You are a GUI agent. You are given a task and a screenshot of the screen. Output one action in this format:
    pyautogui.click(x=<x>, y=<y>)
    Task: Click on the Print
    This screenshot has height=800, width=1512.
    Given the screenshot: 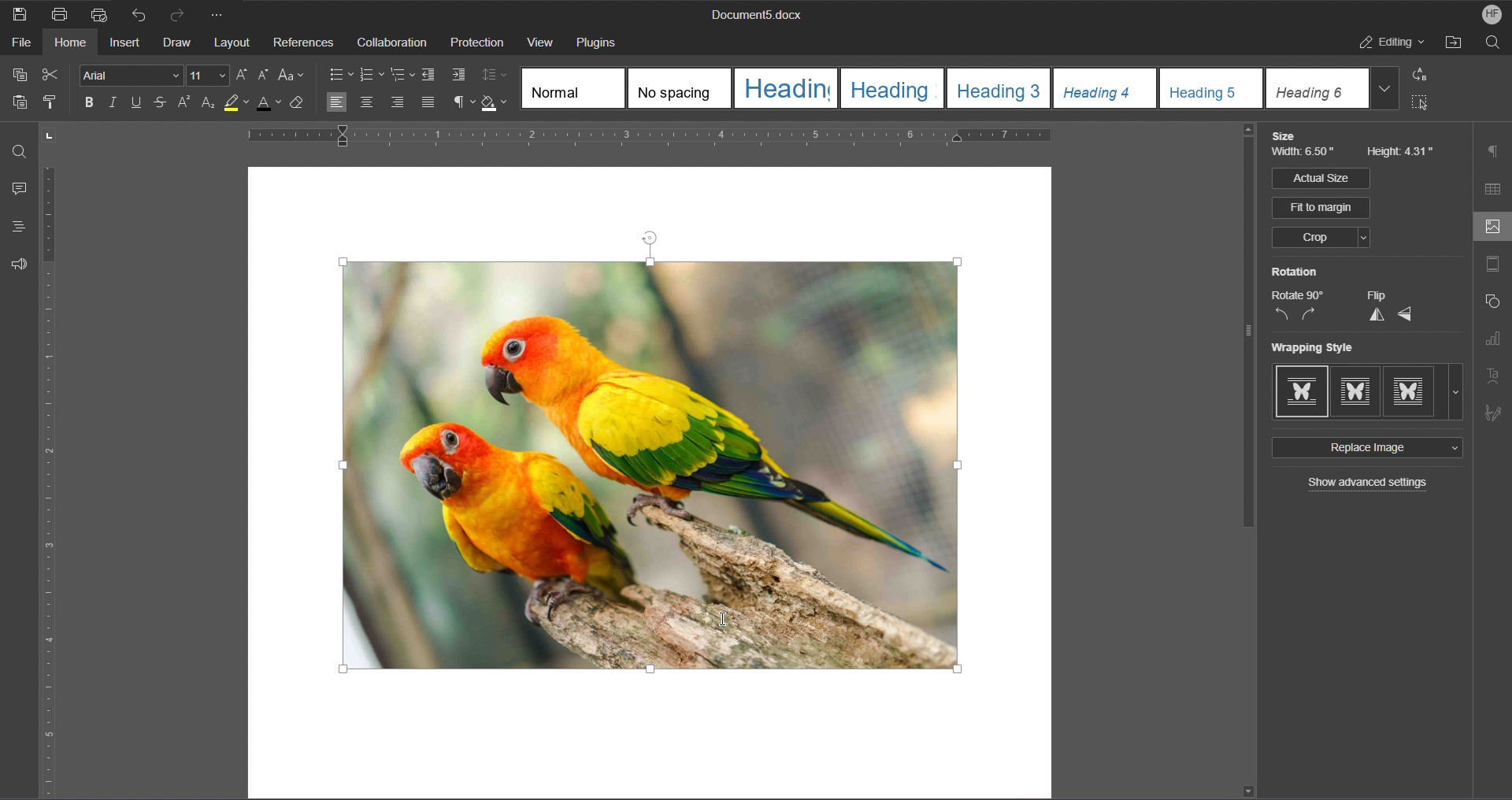 What is the action you would take?
    pyautogui.click(x=61, y=14)
    